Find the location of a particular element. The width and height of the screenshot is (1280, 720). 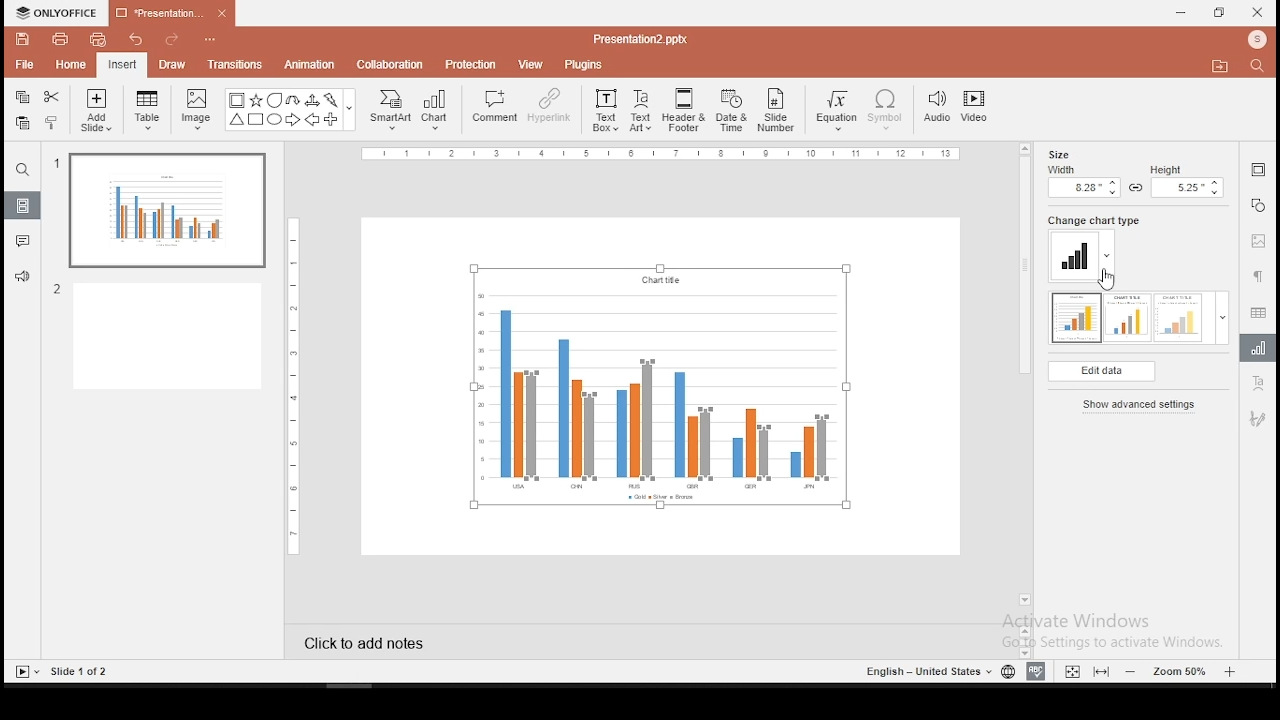

plugins is located at coordinates (582, 64).